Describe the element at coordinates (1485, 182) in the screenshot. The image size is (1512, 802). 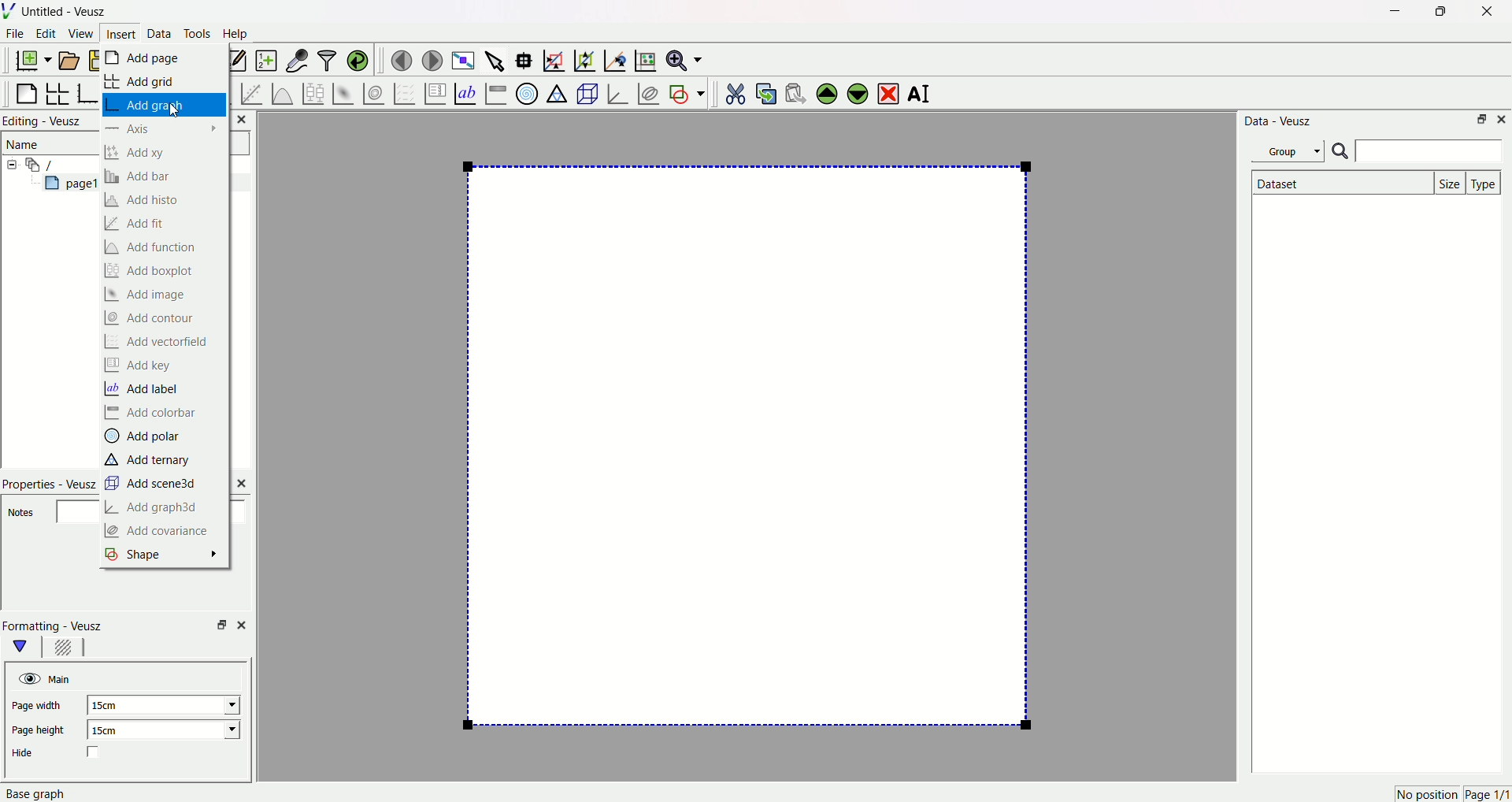
I see `Type` at that location.